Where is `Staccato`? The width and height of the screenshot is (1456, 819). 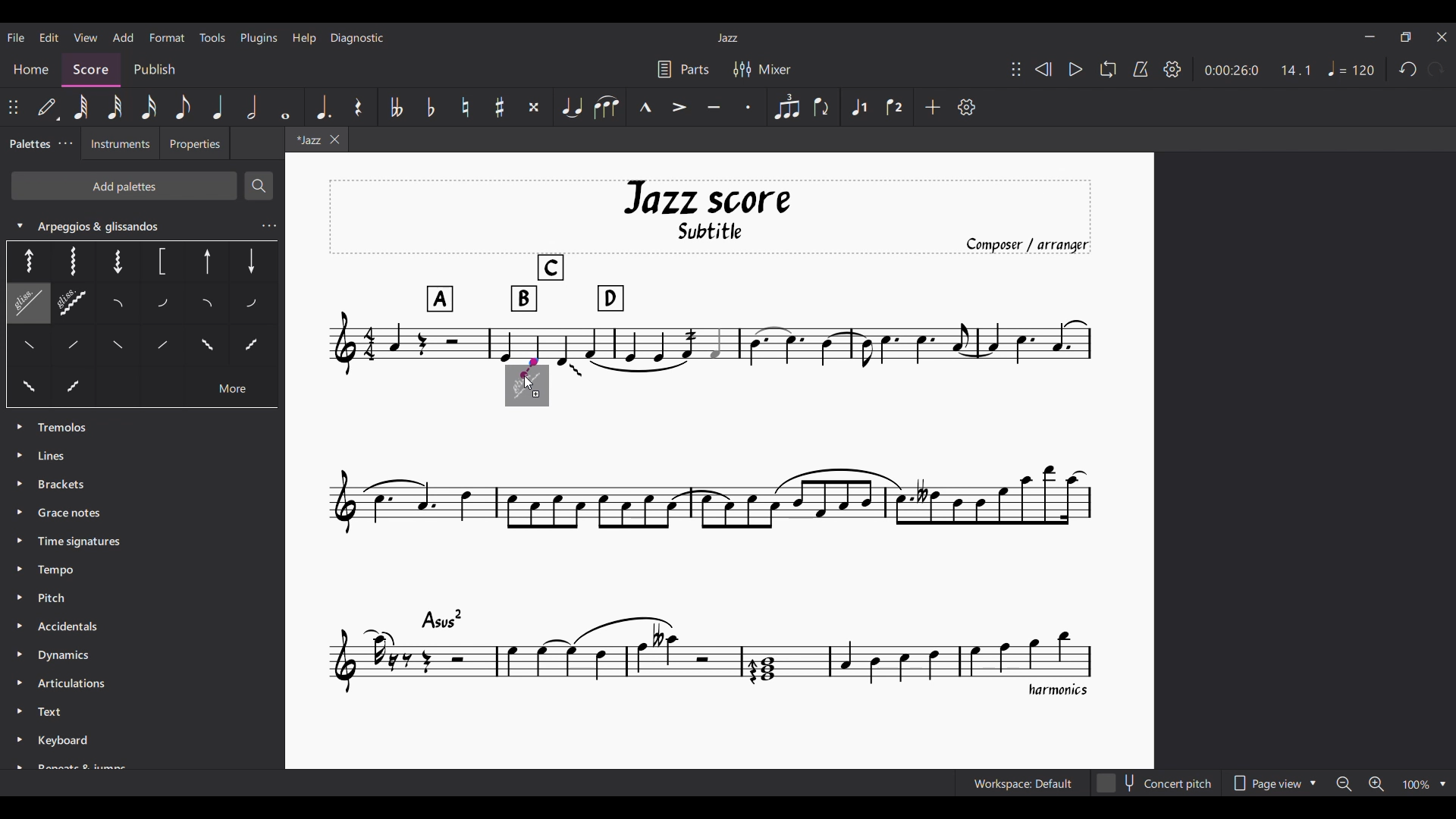 Staccato is located at coordinates (749, 107).